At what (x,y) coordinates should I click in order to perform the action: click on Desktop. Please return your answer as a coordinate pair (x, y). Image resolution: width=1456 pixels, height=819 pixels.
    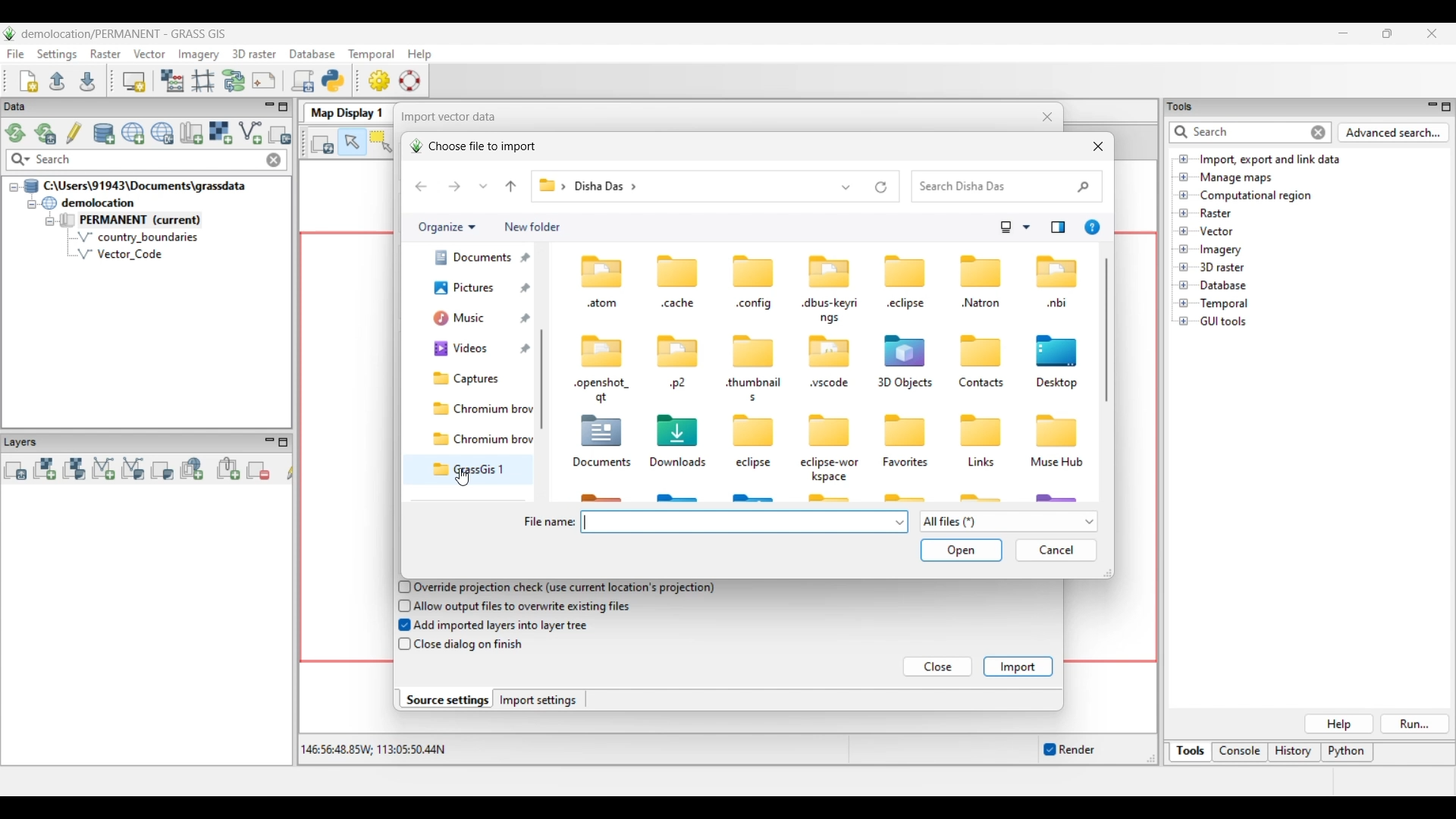
    Looking at the image, I should click on (1059, 384).